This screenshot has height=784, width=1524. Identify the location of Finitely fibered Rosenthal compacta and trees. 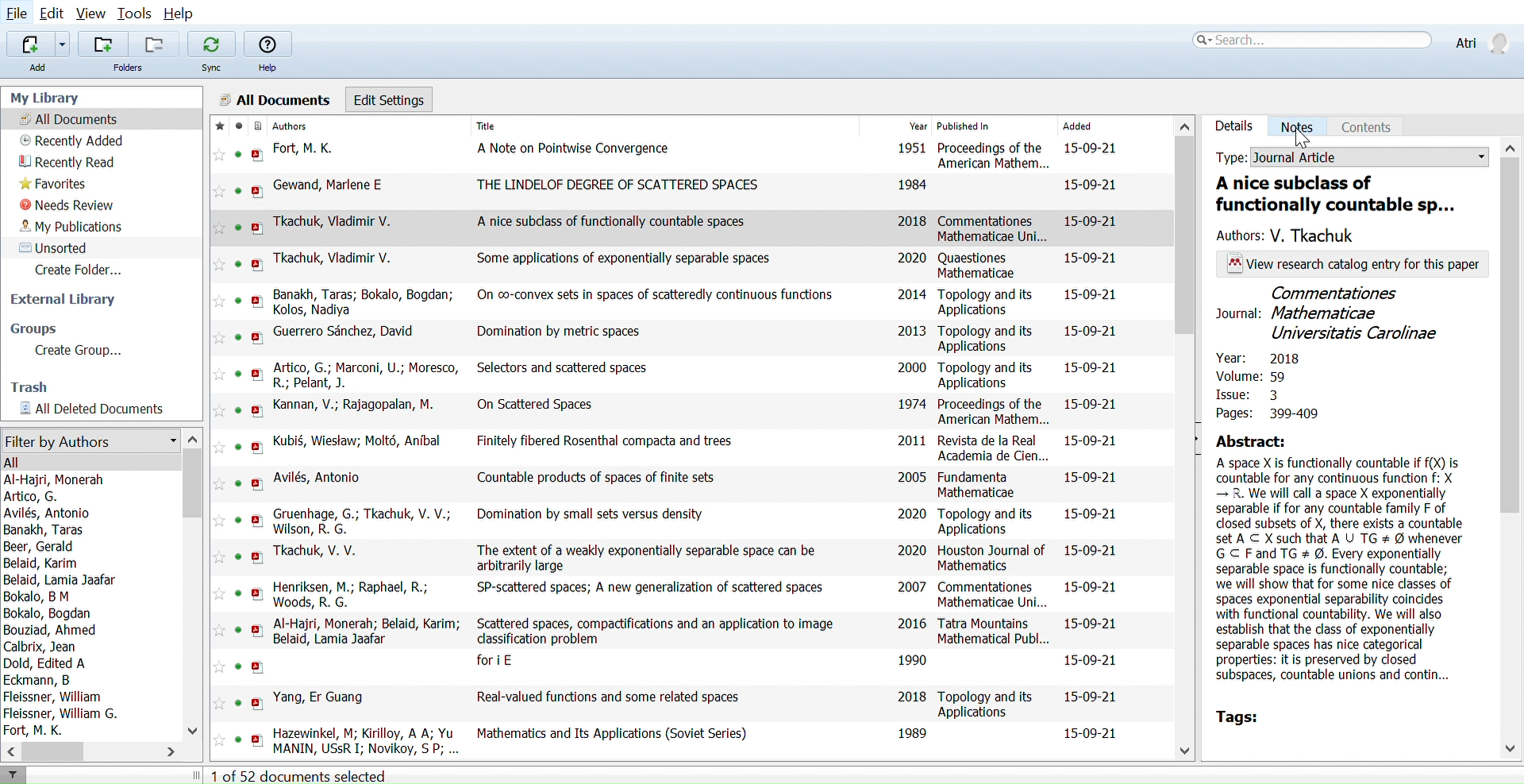
(606, 441).